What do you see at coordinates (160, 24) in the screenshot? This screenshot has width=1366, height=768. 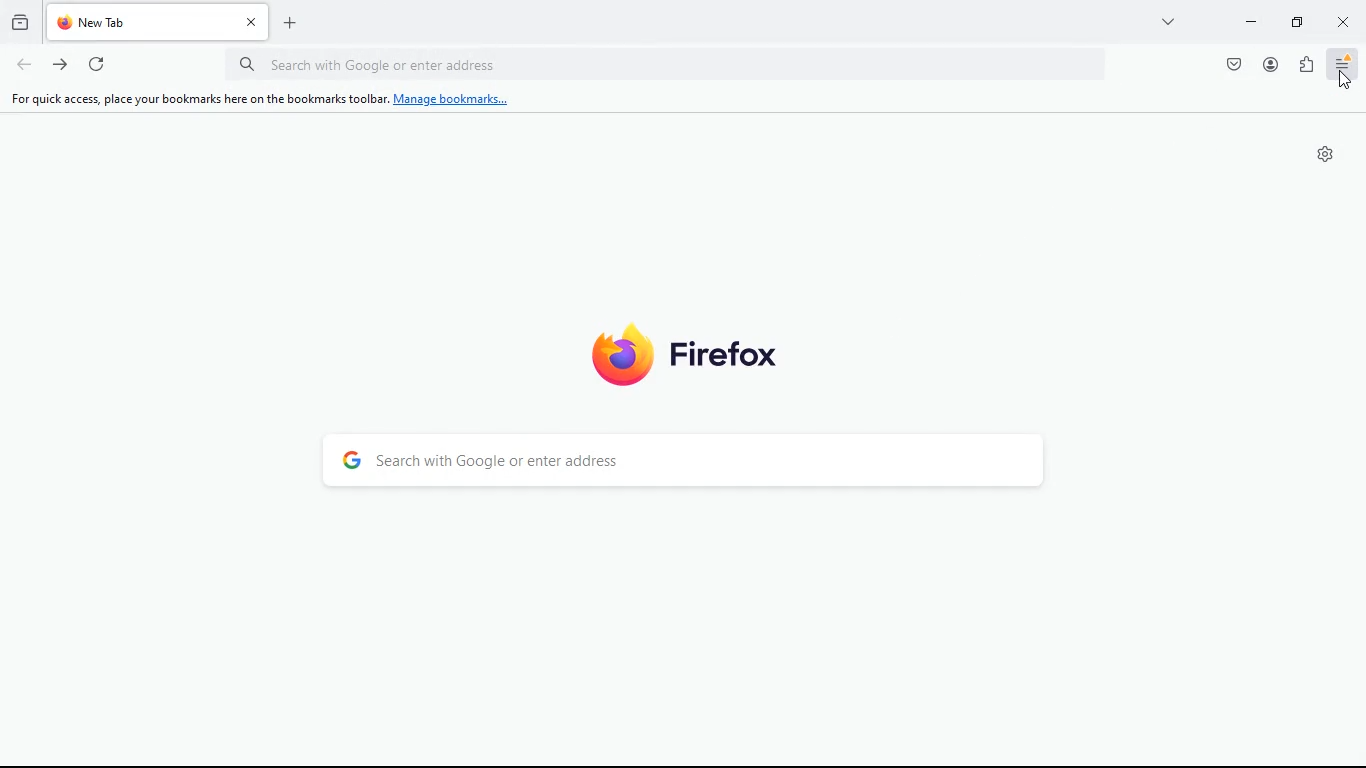 I see `tab` at bounding box center [160, 24].